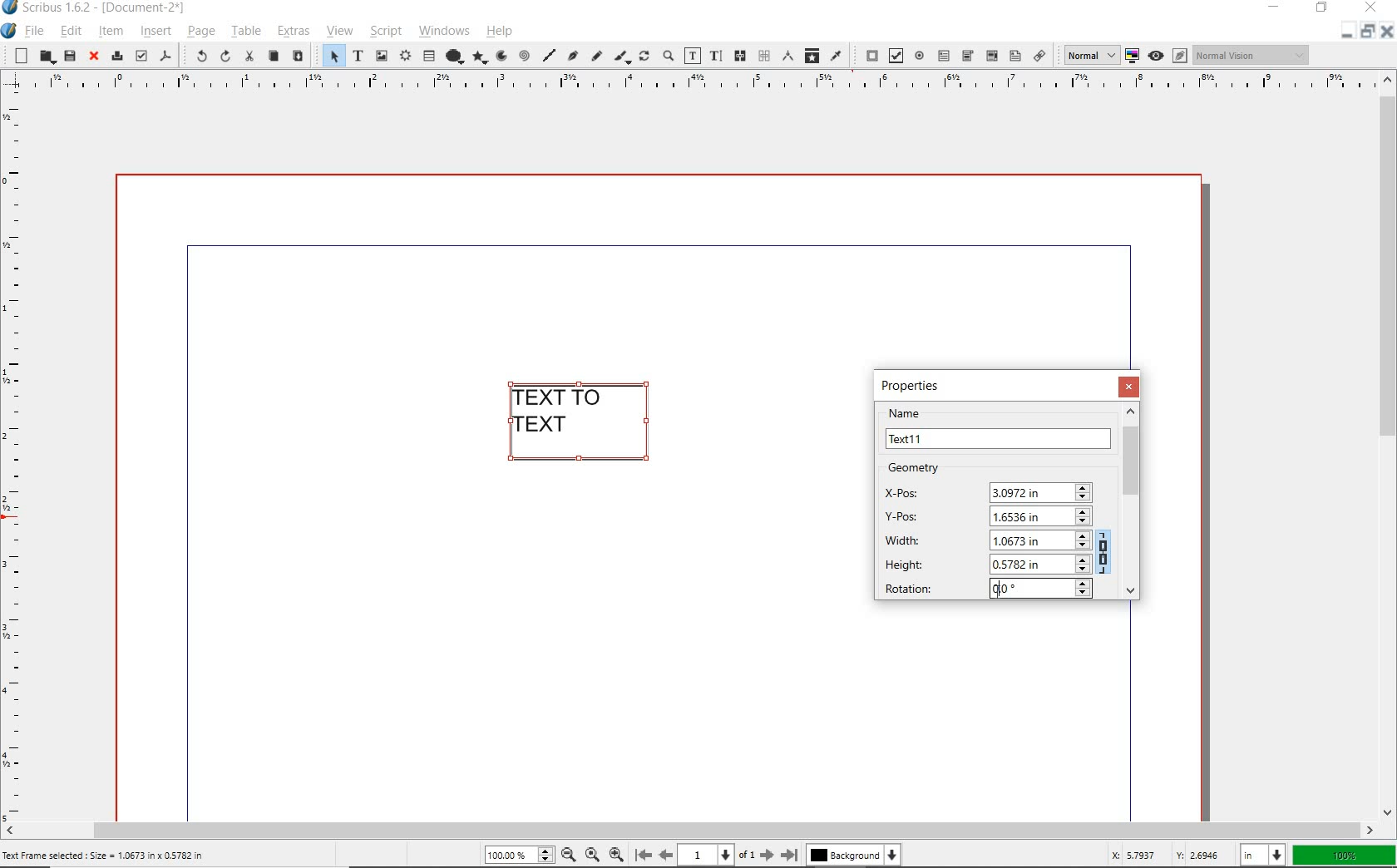  Describe the element at coordinates (668, 57) in the screenshot. I see `zoom in or zoom out` at that location.